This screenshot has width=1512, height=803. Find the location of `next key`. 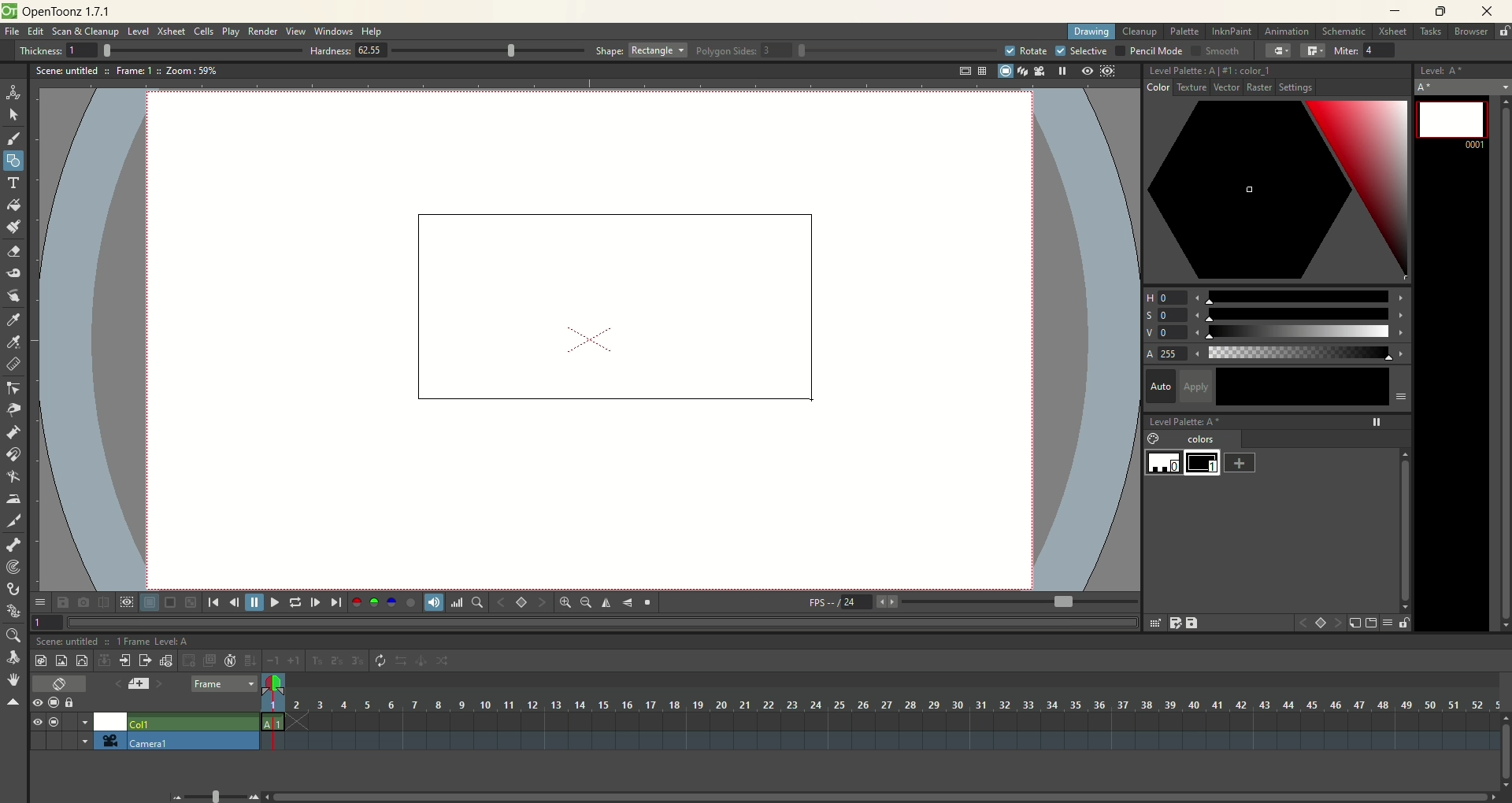

next key is located at coordinates (1339, 624).